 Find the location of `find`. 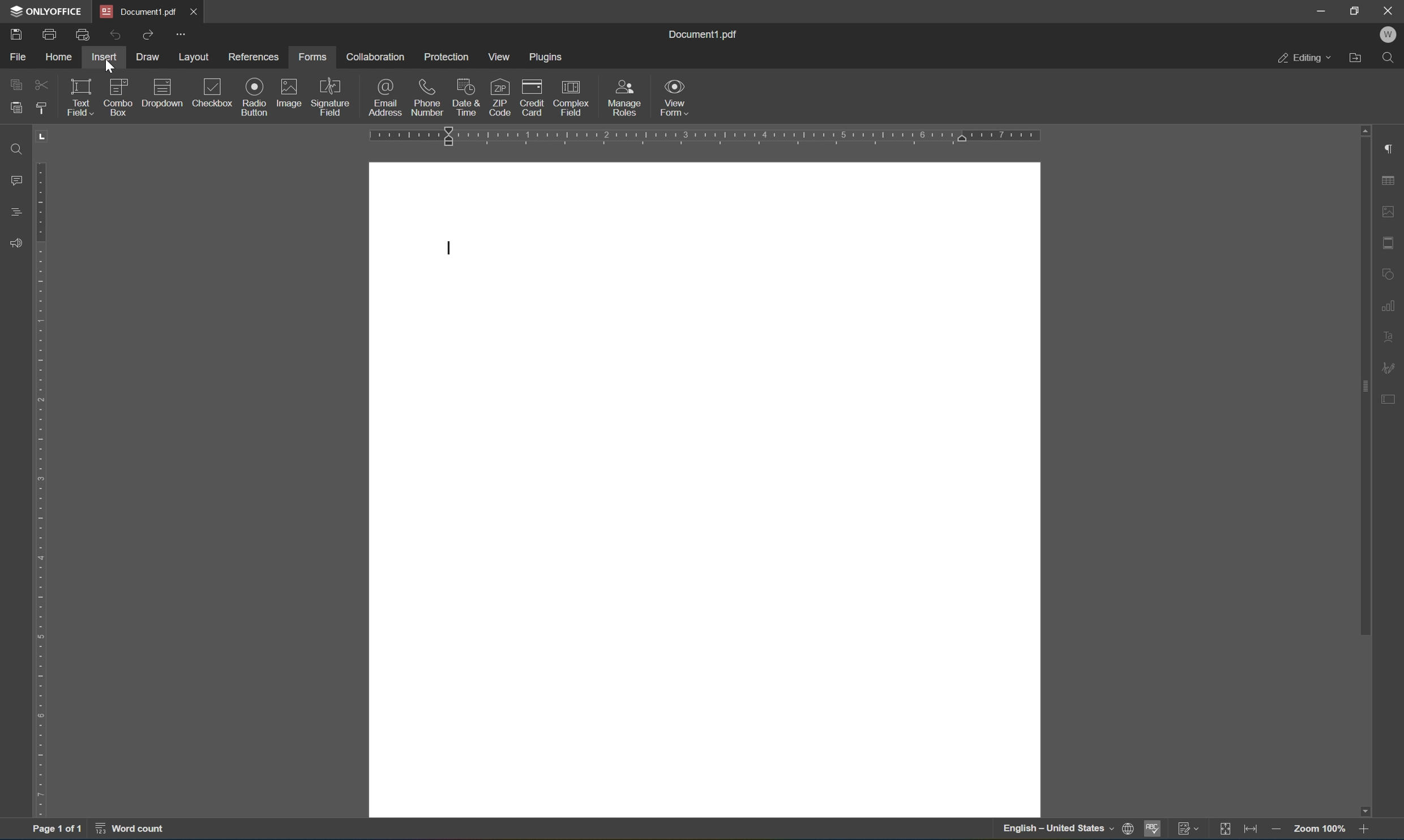

find is located at coordinates (17, 148).